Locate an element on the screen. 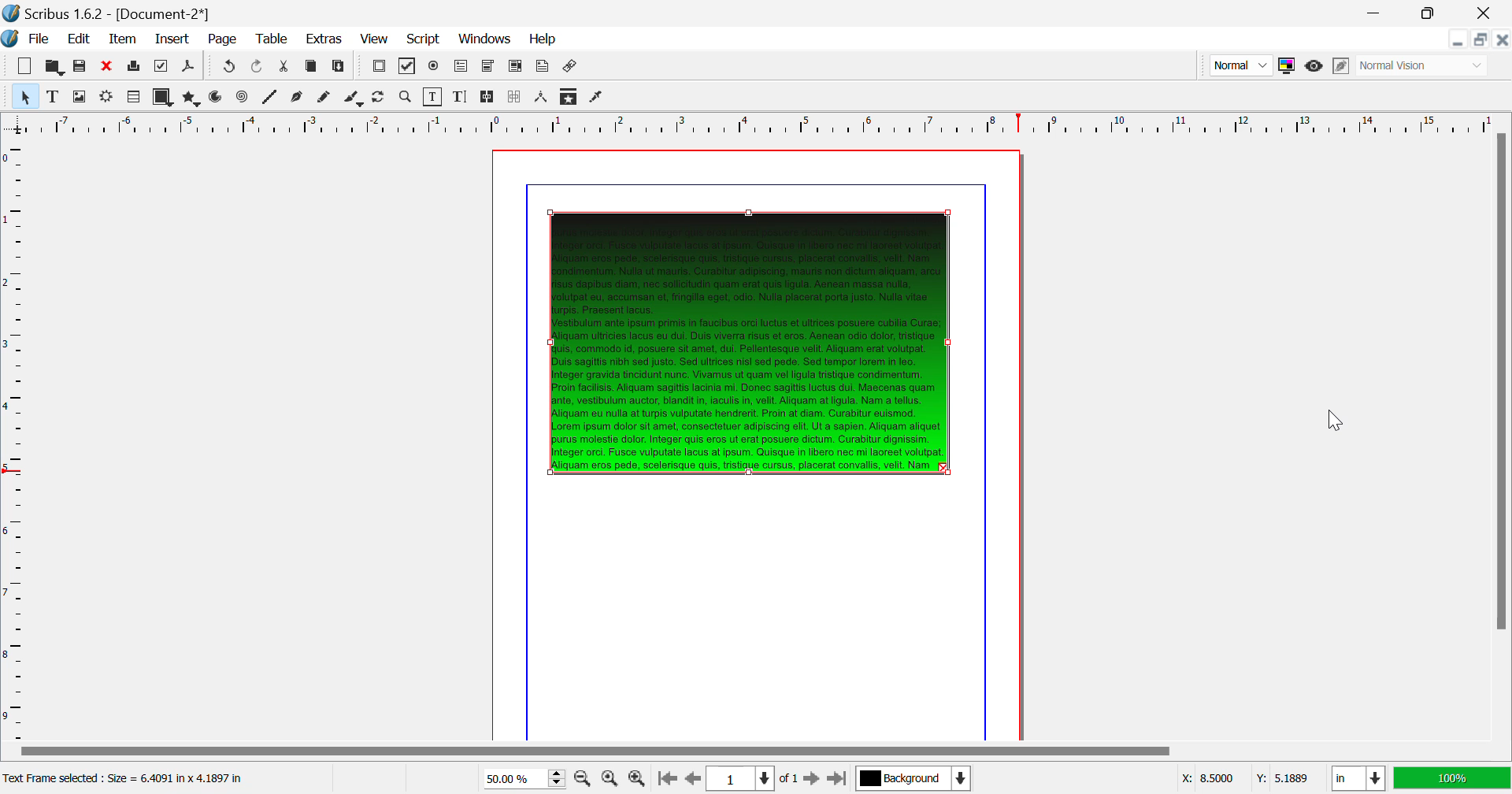 This screenshot has width=1512, height=794. Horizontal Page Margins is located at coordinates (15, 439).